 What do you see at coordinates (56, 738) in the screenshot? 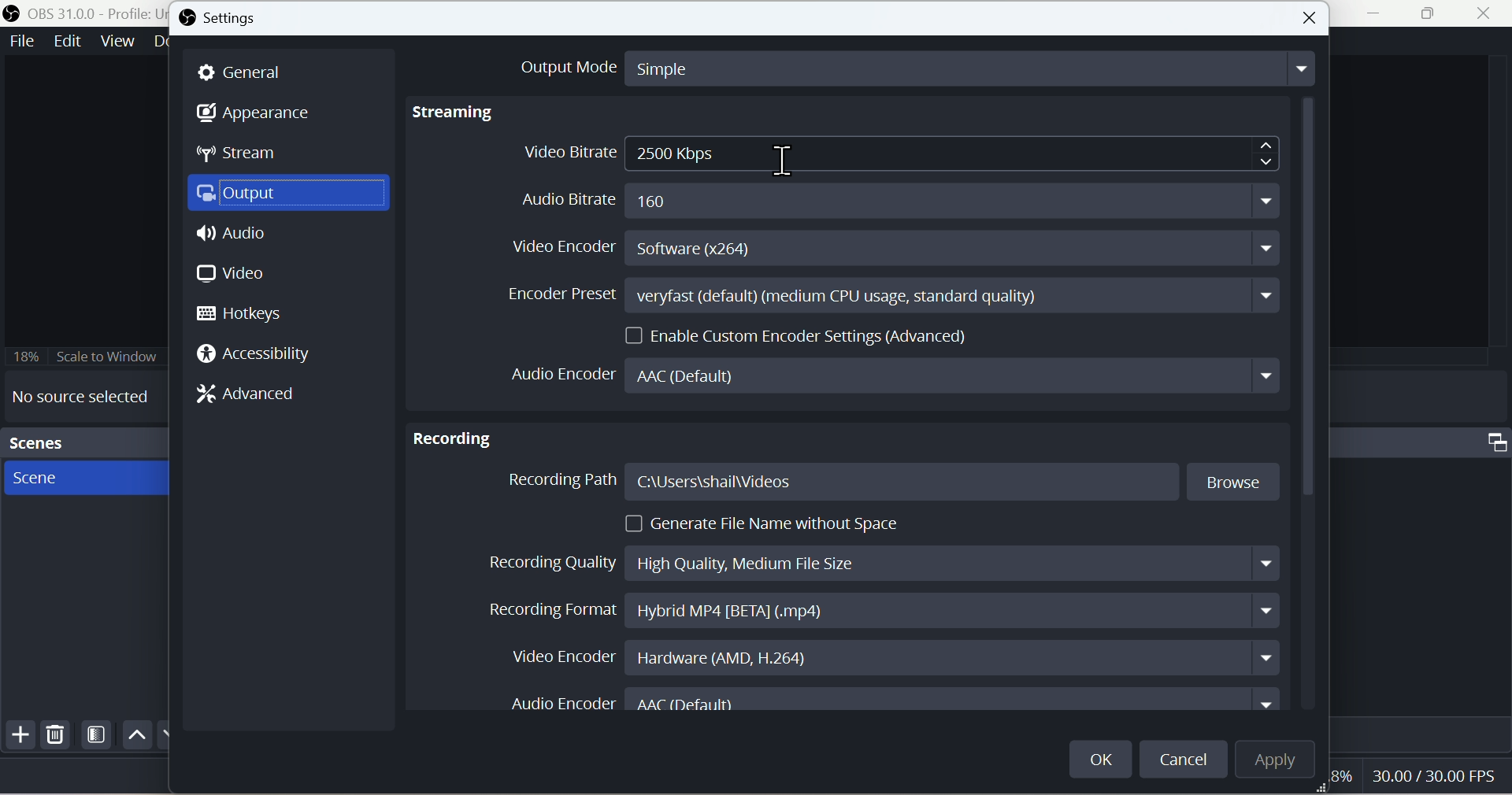
I see `Delete` at bounding box center [56, 738].